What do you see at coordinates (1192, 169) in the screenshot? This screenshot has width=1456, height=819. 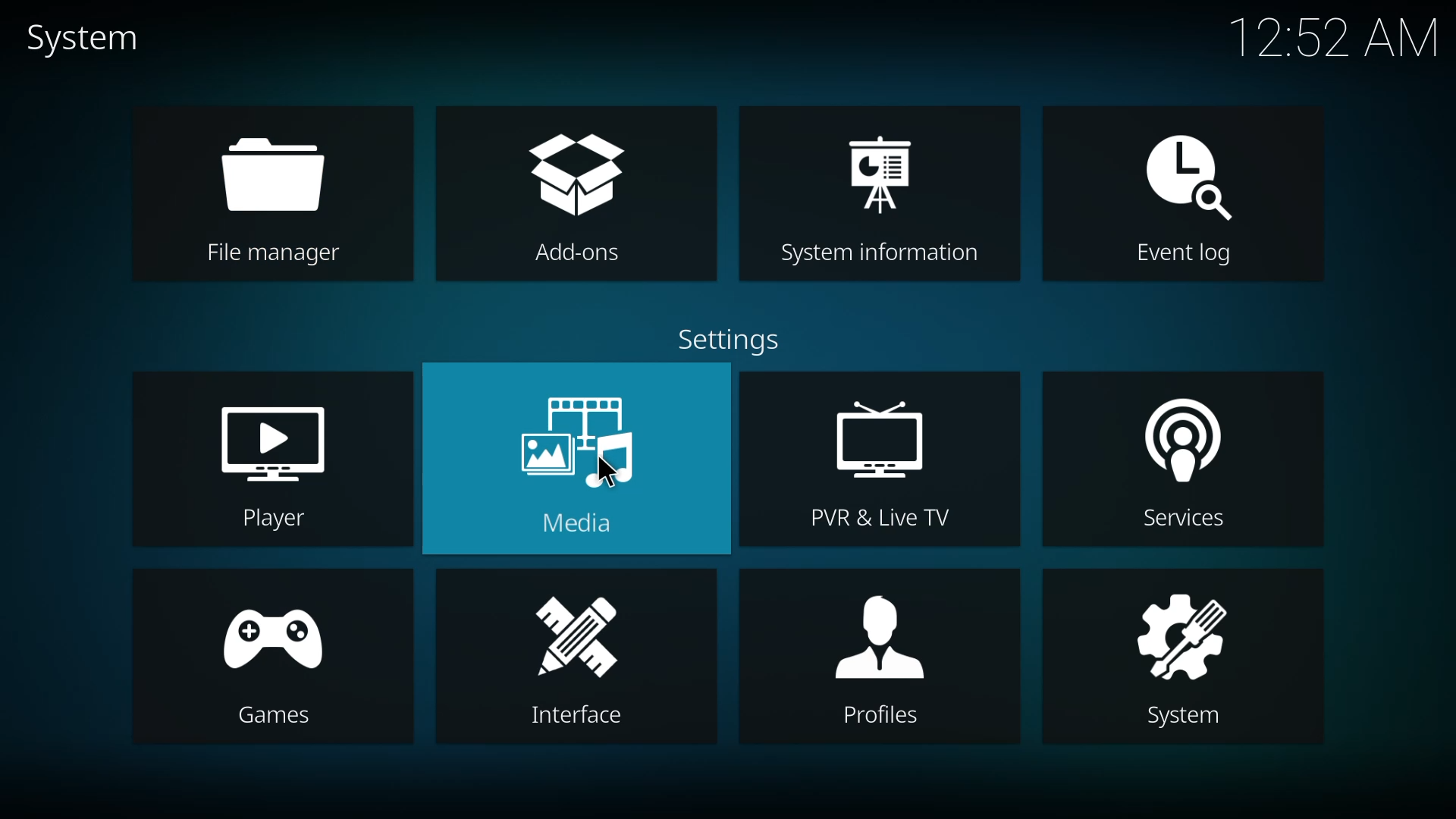 I see `event log` at bounding box center [1192, 169].